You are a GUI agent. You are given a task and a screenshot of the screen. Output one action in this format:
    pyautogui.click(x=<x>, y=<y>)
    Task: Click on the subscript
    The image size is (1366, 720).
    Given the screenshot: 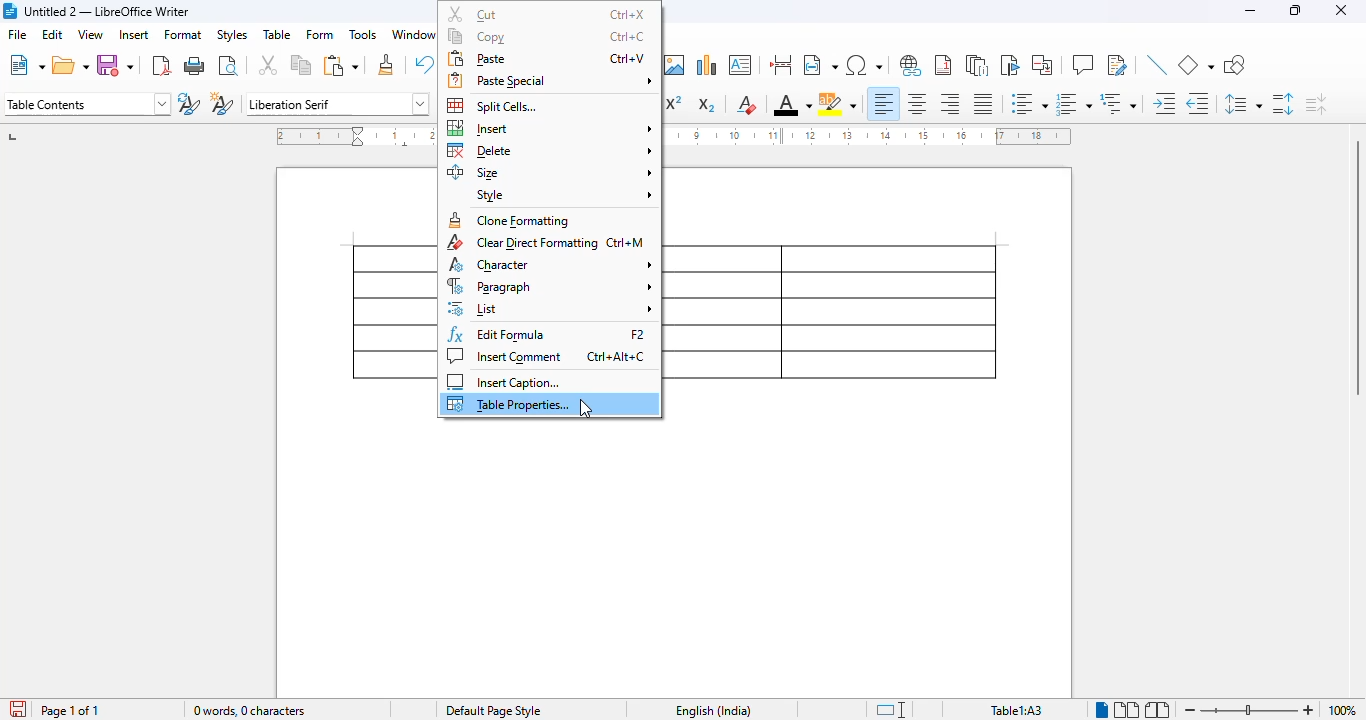 What is the action you would take?
    pyautogui.click(x=706, y=105)
    